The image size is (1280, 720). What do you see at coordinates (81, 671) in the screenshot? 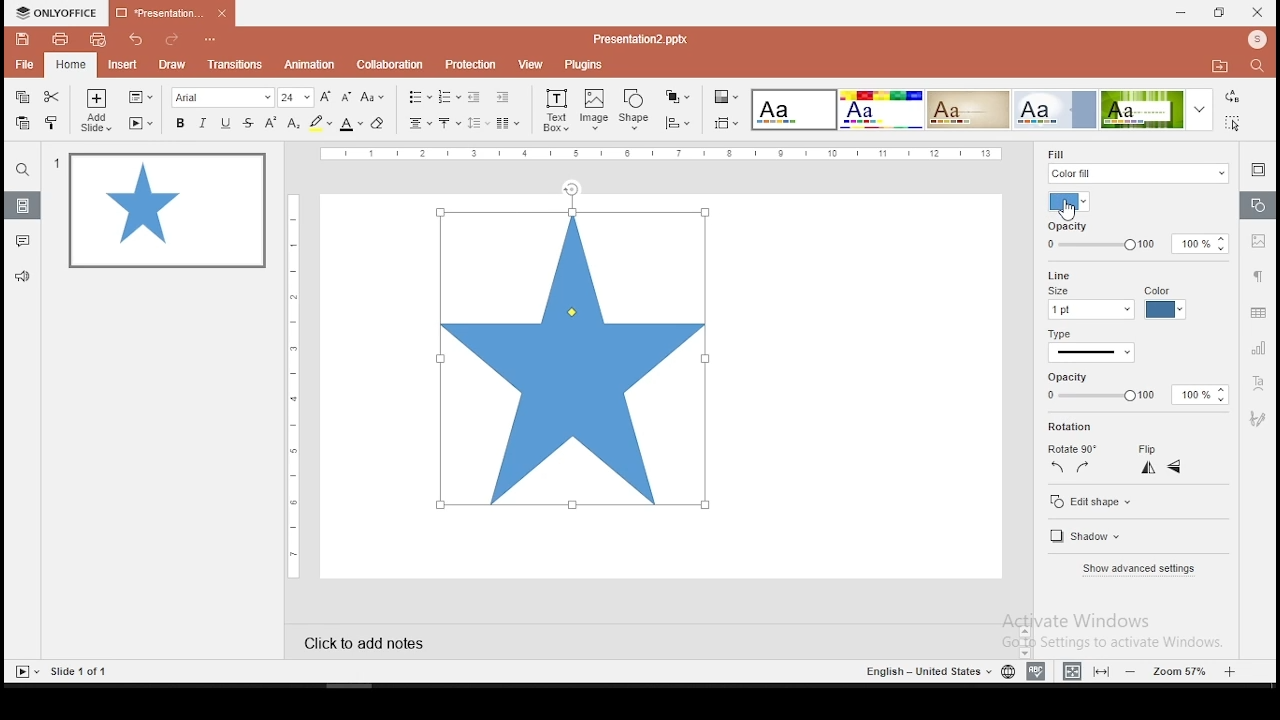
I see `slide 1 of 1` at bounding box center [81, 671].